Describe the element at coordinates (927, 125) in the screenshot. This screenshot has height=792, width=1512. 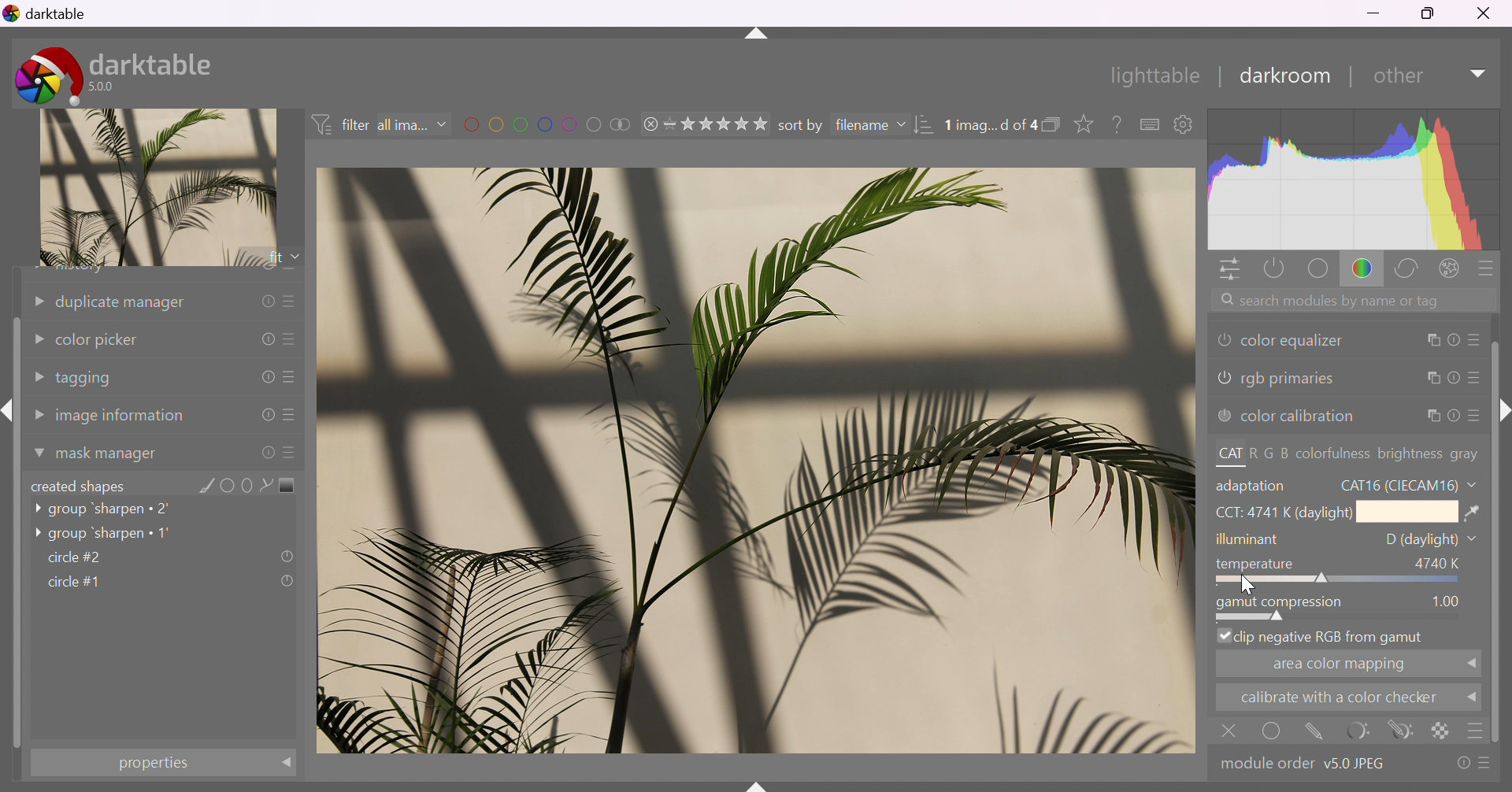
I see `change order` at that location.